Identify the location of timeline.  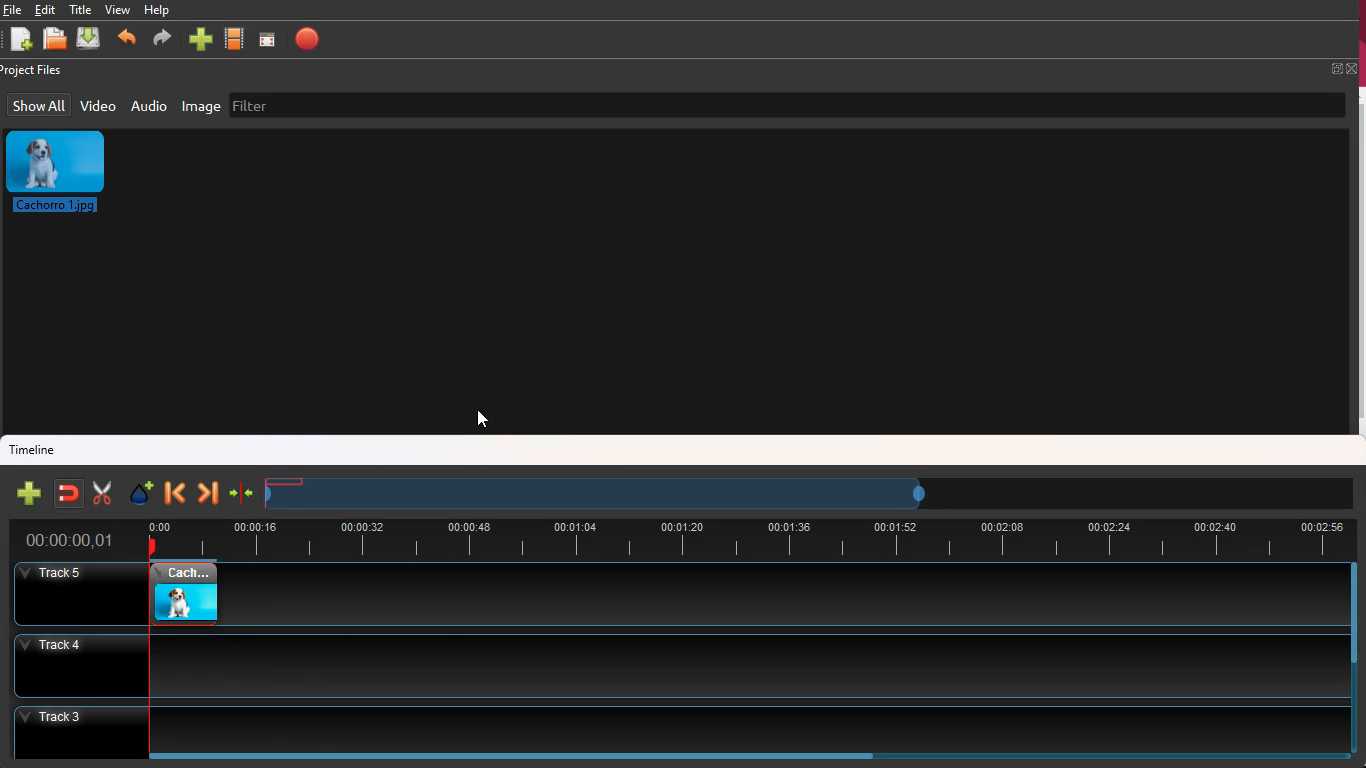
(38, 451).